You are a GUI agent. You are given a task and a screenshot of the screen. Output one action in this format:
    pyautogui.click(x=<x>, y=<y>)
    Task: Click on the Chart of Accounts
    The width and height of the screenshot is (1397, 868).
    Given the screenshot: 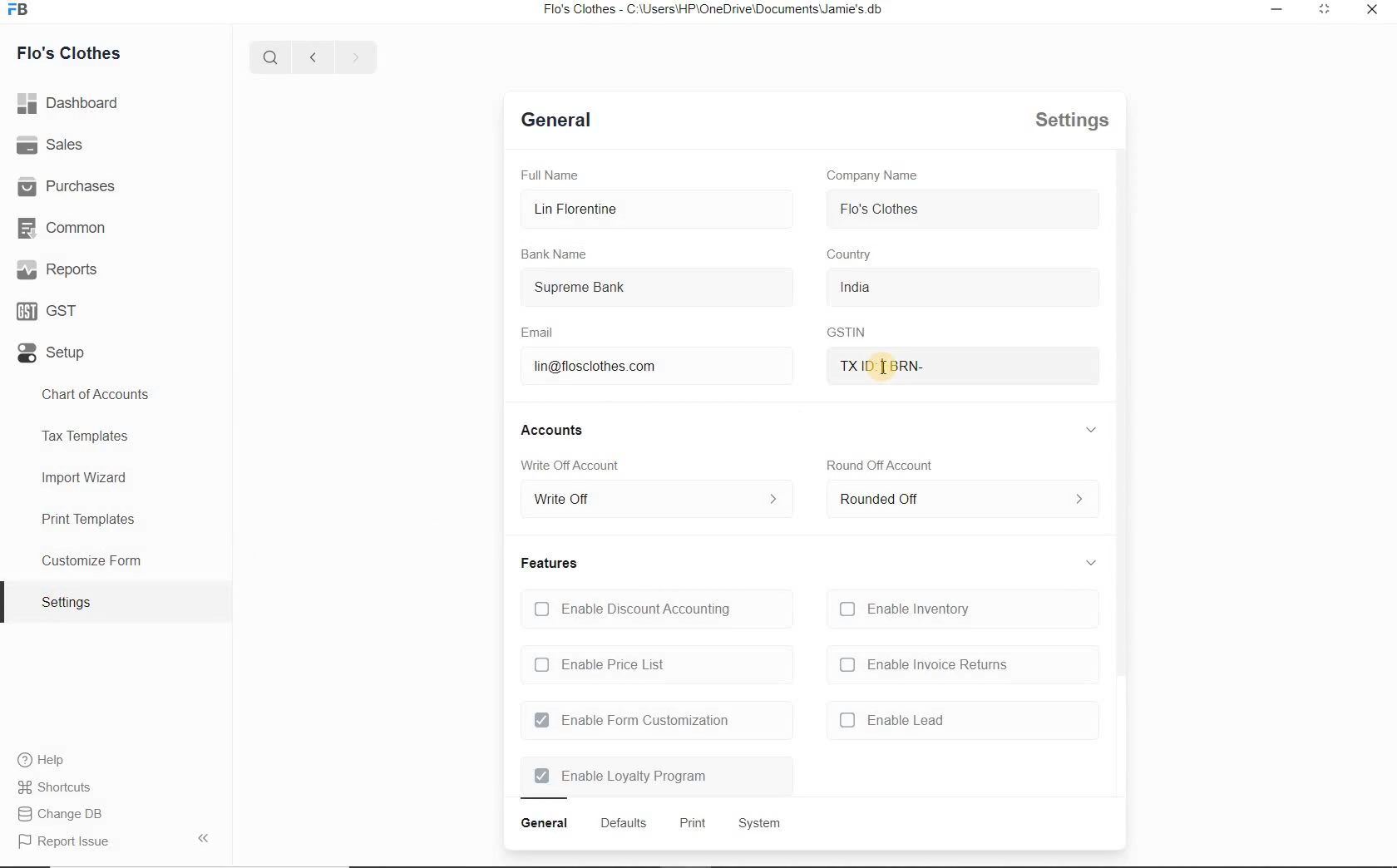 What is the action you would take?
    pyautogui.click(x=102, y=395)
    